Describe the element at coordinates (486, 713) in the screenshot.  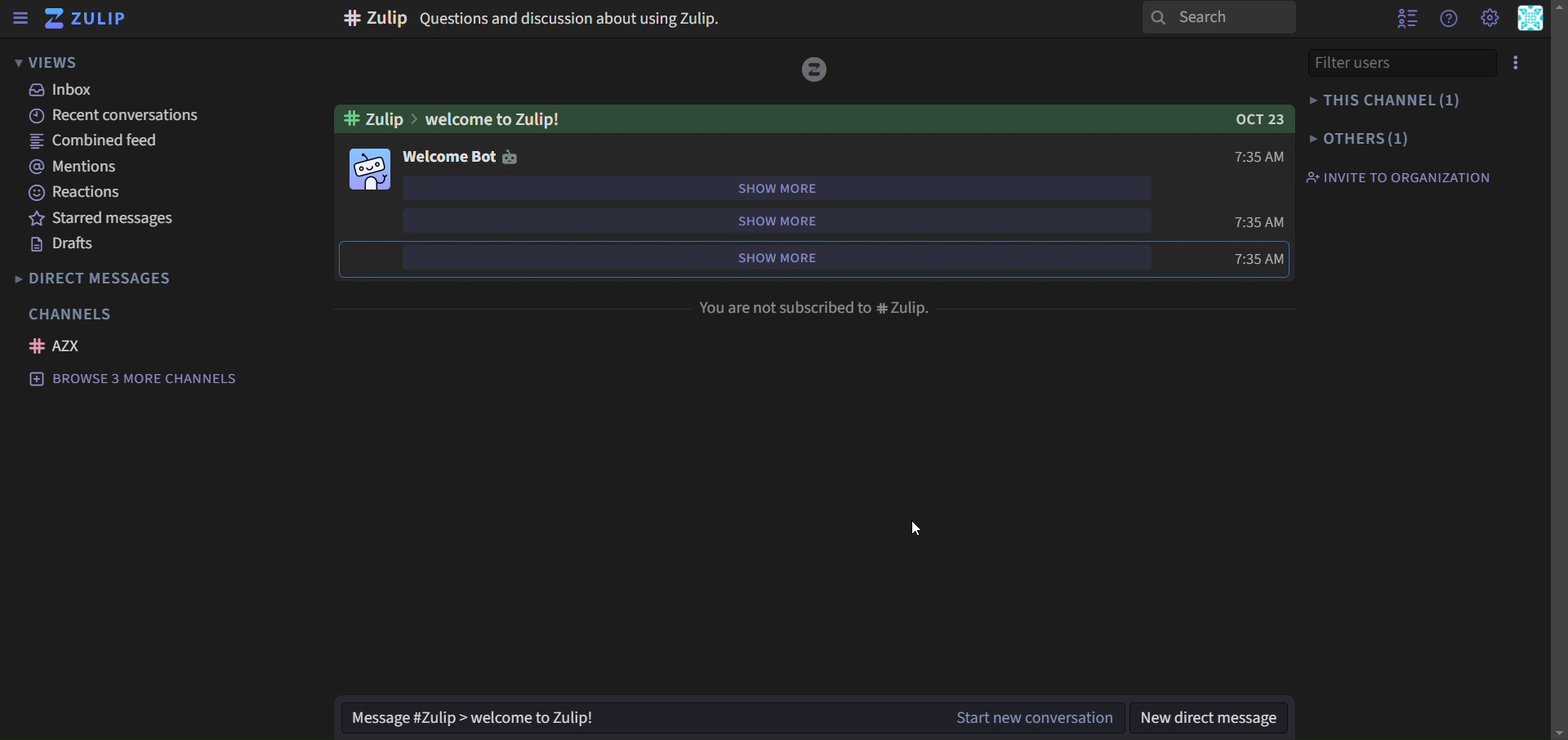
I see `Message #Zulip > welcome to Zulip!` at that location.